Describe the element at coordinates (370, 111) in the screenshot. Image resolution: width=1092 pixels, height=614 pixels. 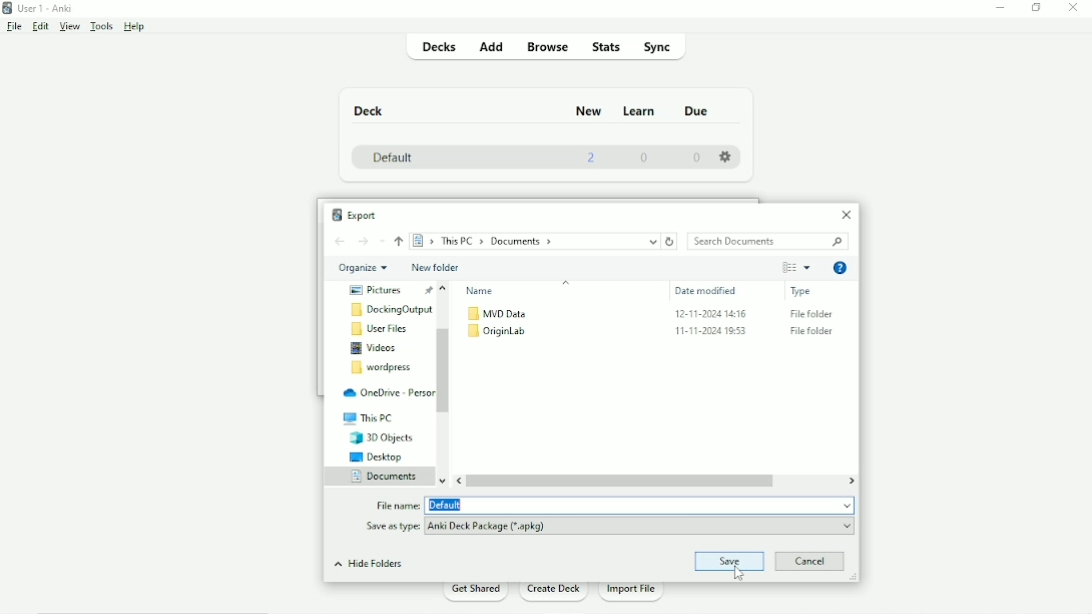
I see `Deck` at that location.